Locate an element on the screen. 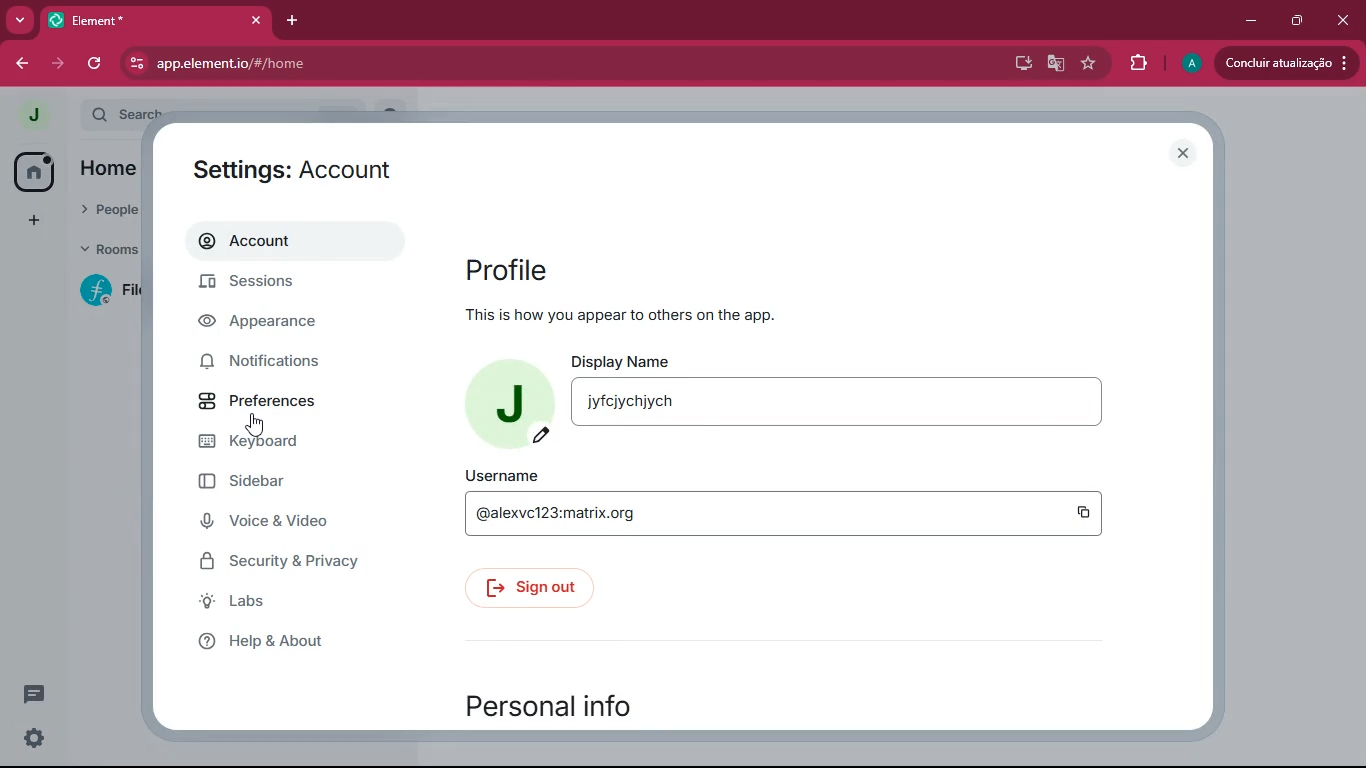  more is located at coordinates (20, 19).